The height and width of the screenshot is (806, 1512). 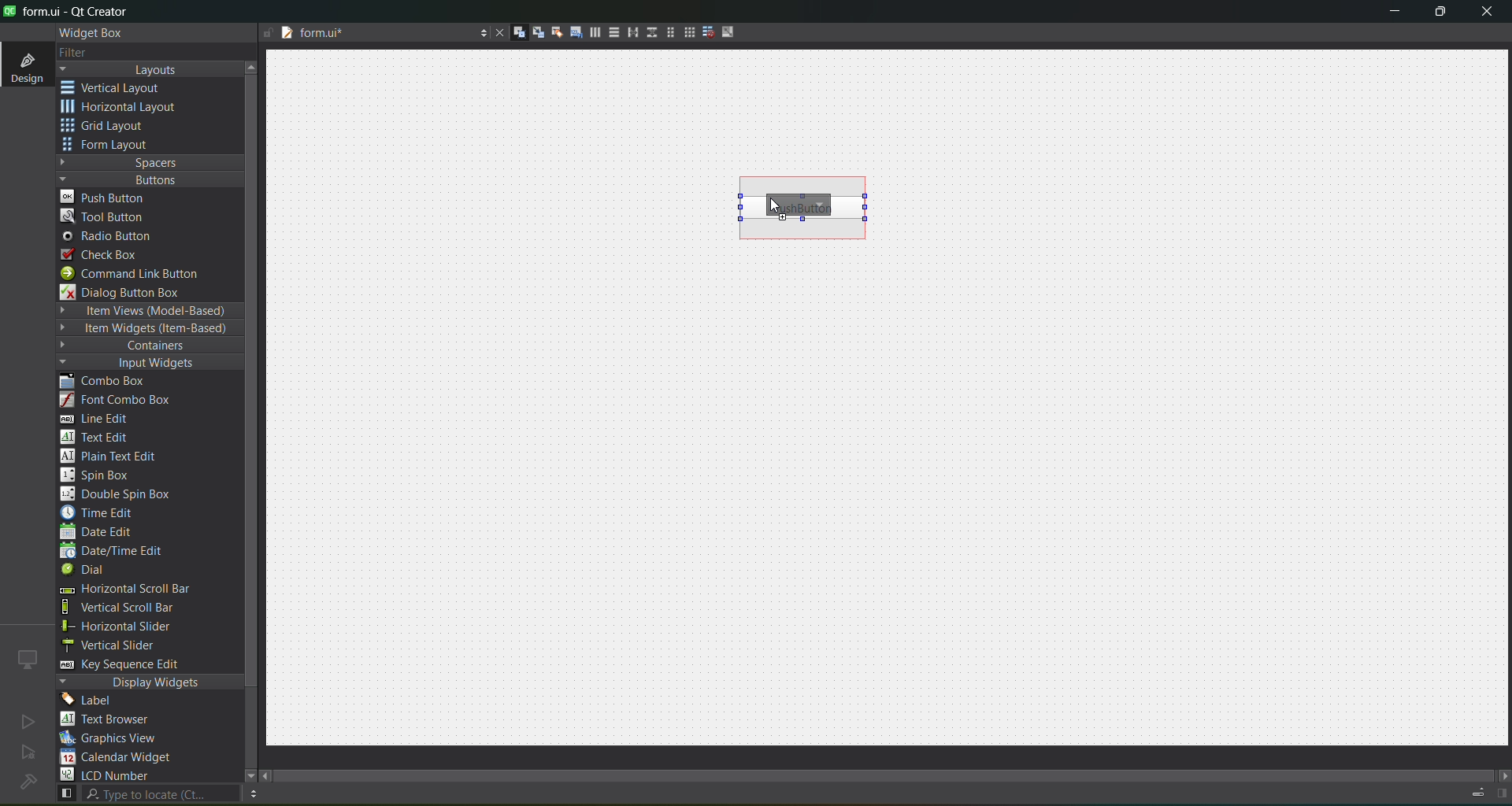 What do you see at coordinates (479, 35) in the screenshot?
I see `options` at bounding box center [479, 35].